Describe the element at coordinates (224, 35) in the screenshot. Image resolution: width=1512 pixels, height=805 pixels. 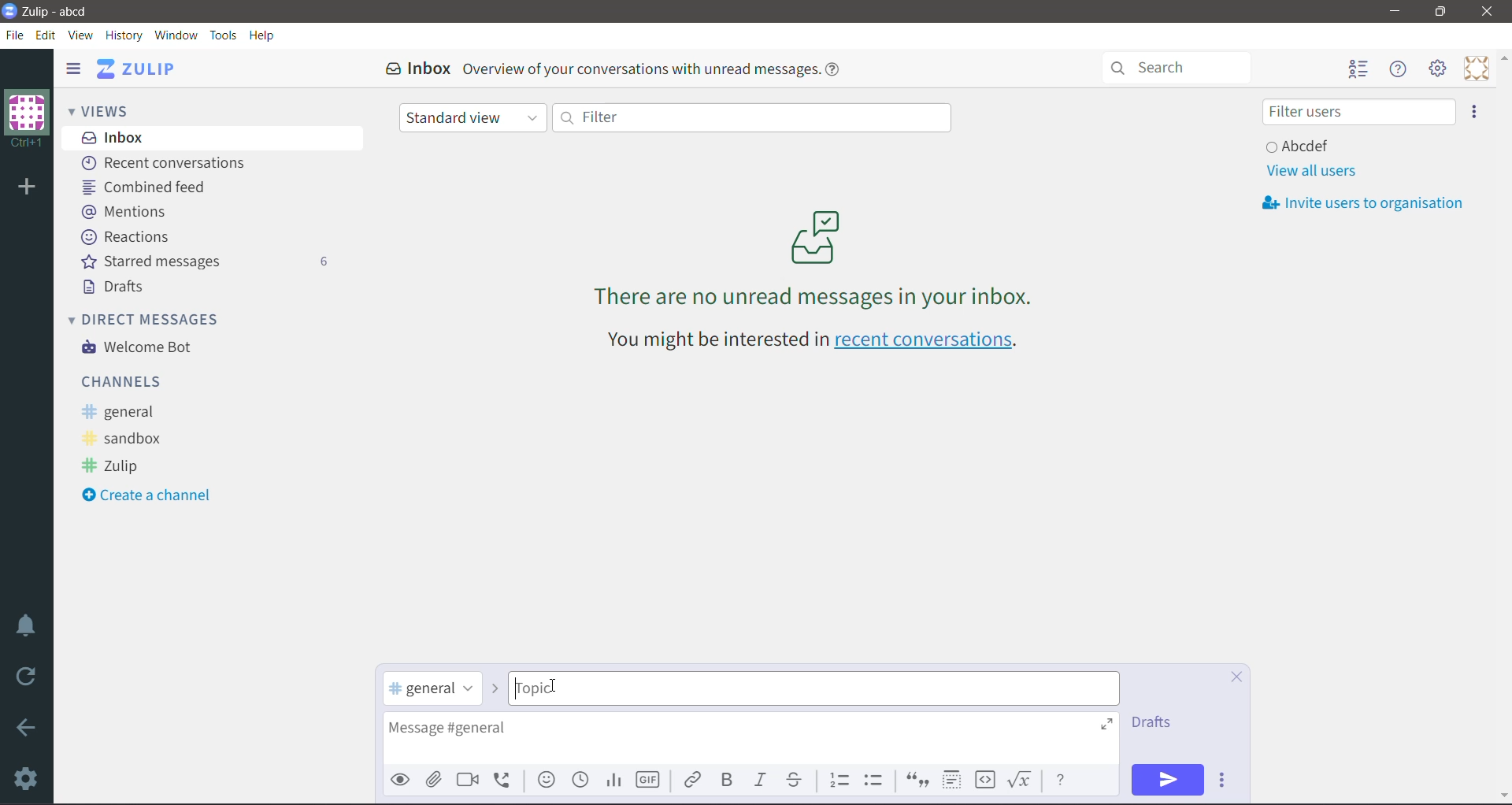
I see `Tools` at that location.